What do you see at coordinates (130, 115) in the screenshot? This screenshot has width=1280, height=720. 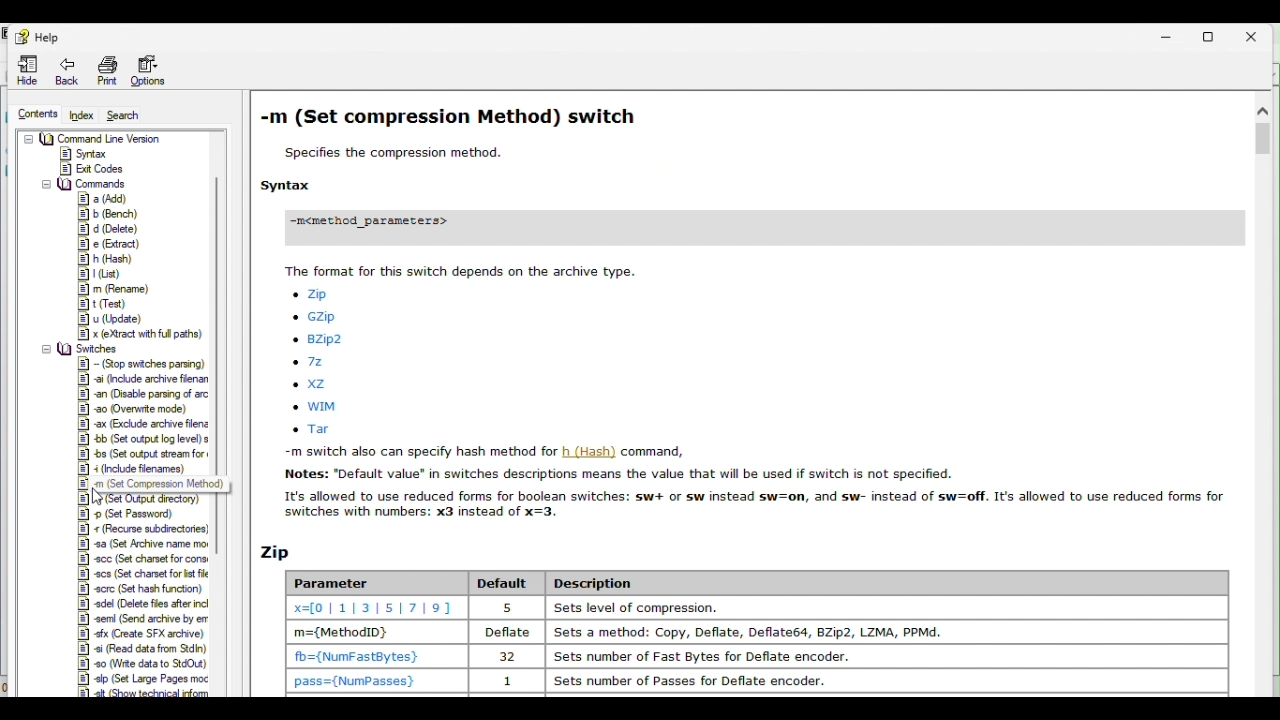 I see `Search` at bounding box center [130, 115].